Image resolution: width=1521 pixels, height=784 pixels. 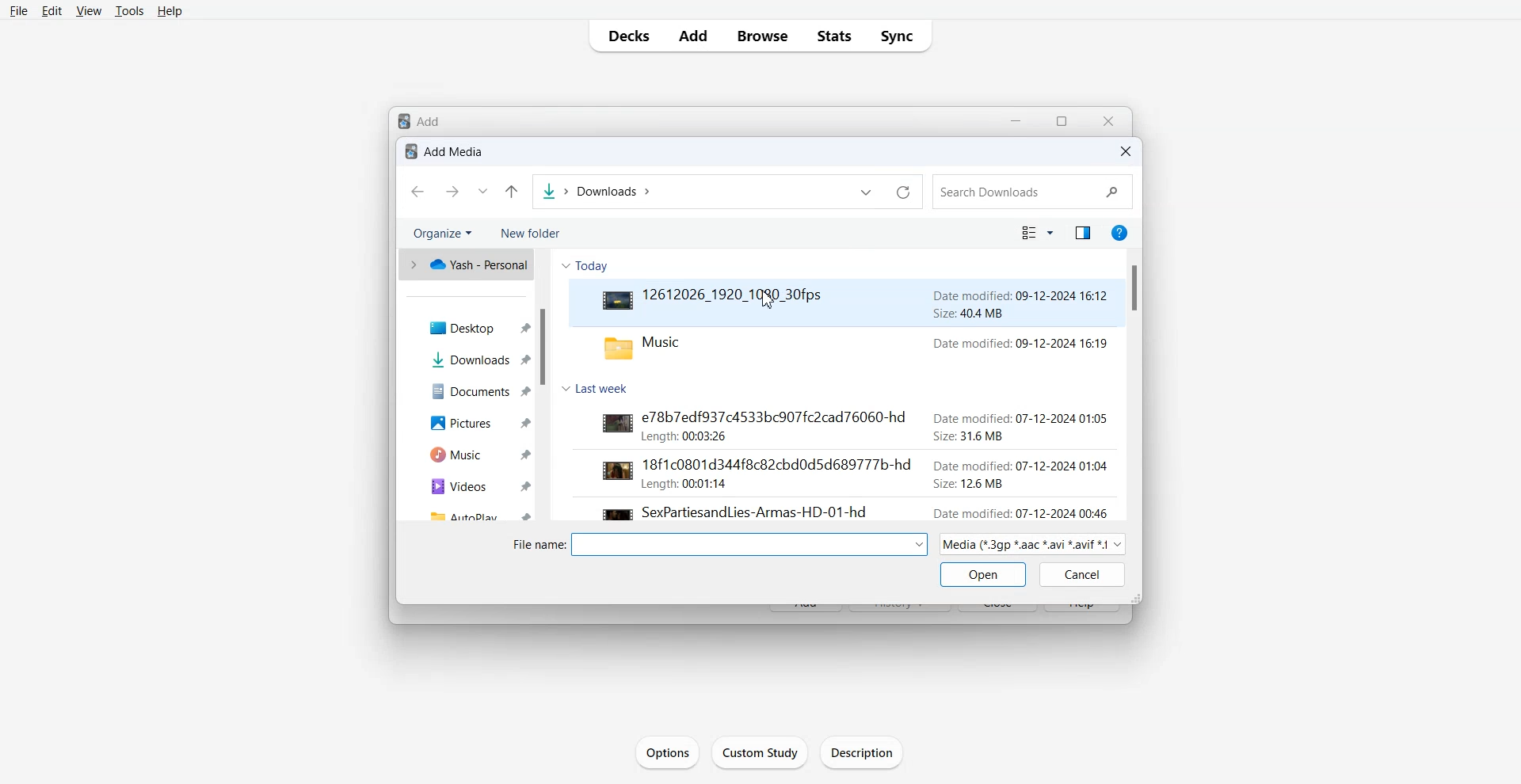 What do you see at coordinates (473, 513) in the screenshot?
I see `Autoplay` at bounding box center [473, 513].